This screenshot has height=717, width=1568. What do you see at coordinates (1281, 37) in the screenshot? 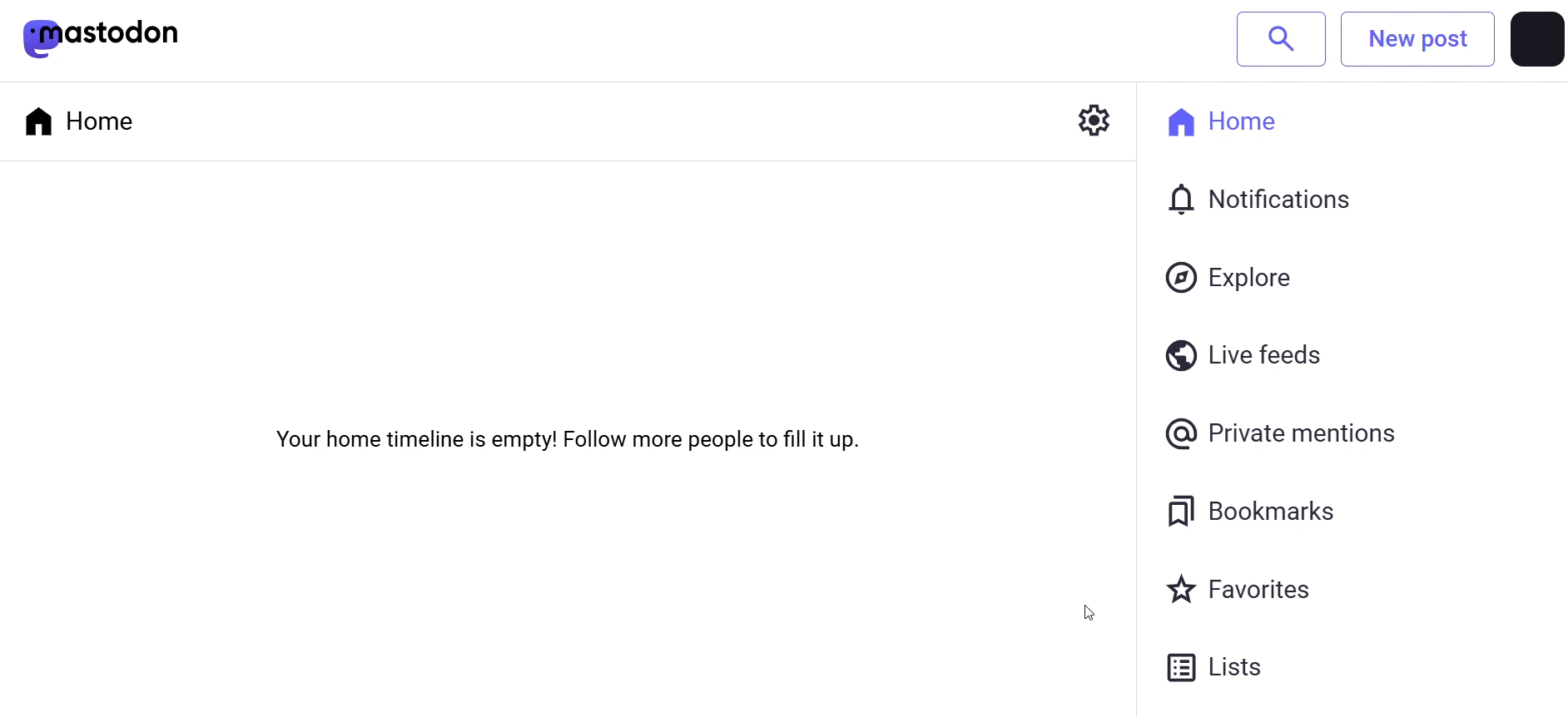
I see `search bar` at bounding box center [1281, 37].